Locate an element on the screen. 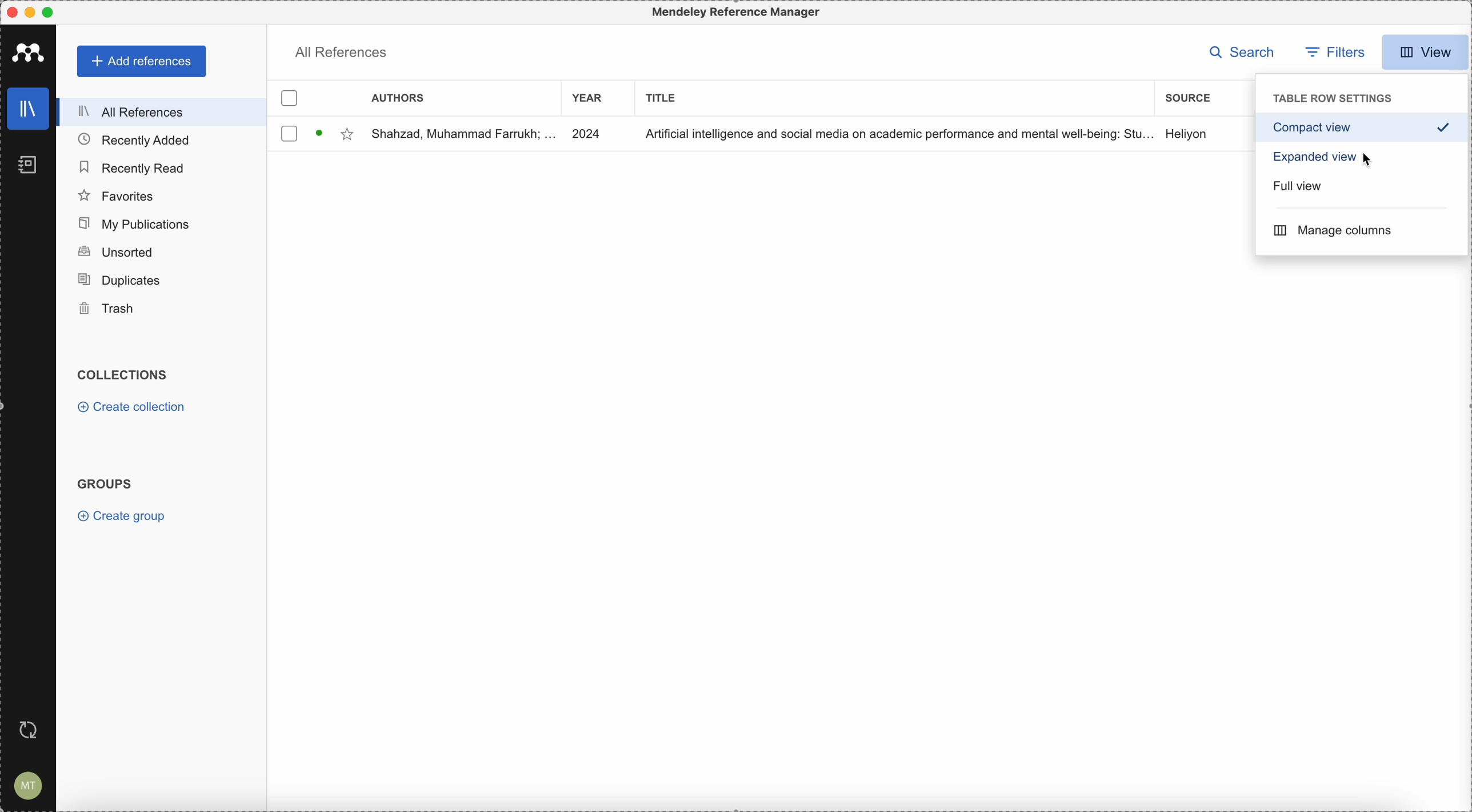 The height and width of the screenshot is (812, 1472). add references is located at coordinates (141, 61).